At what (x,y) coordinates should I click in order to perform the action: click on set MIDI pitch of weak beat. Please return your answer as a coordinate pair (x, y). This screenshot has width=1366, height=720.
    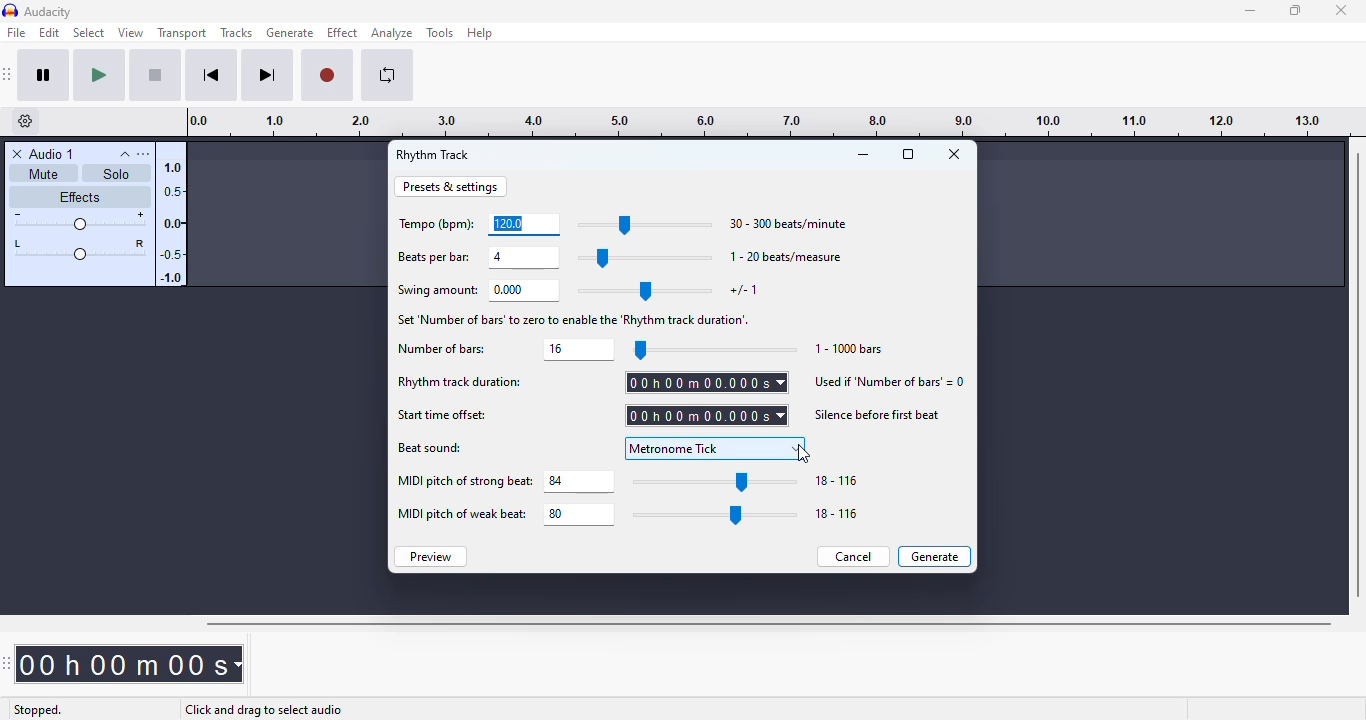
    Looking at the image, I should click on (580, 514).